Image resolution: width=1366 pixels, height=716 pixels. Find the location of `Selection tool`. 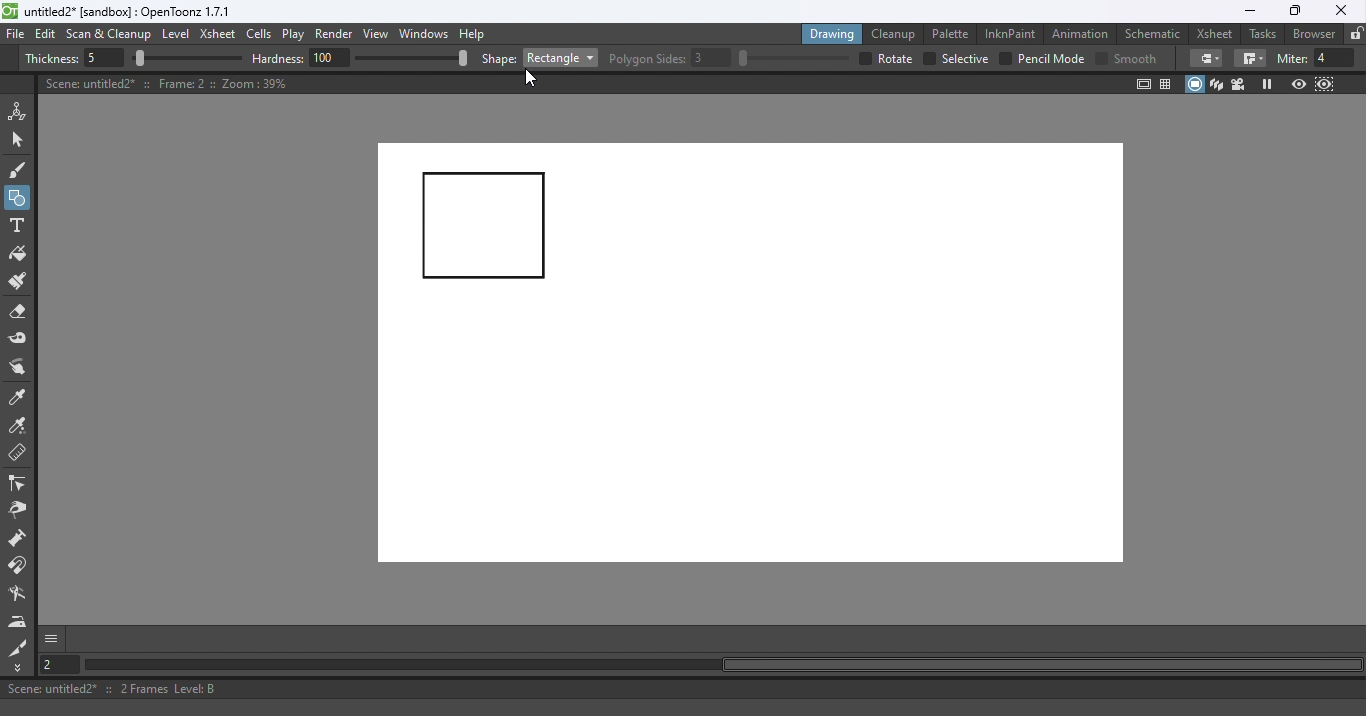

Selection tool is located at coordinates (21, 139).